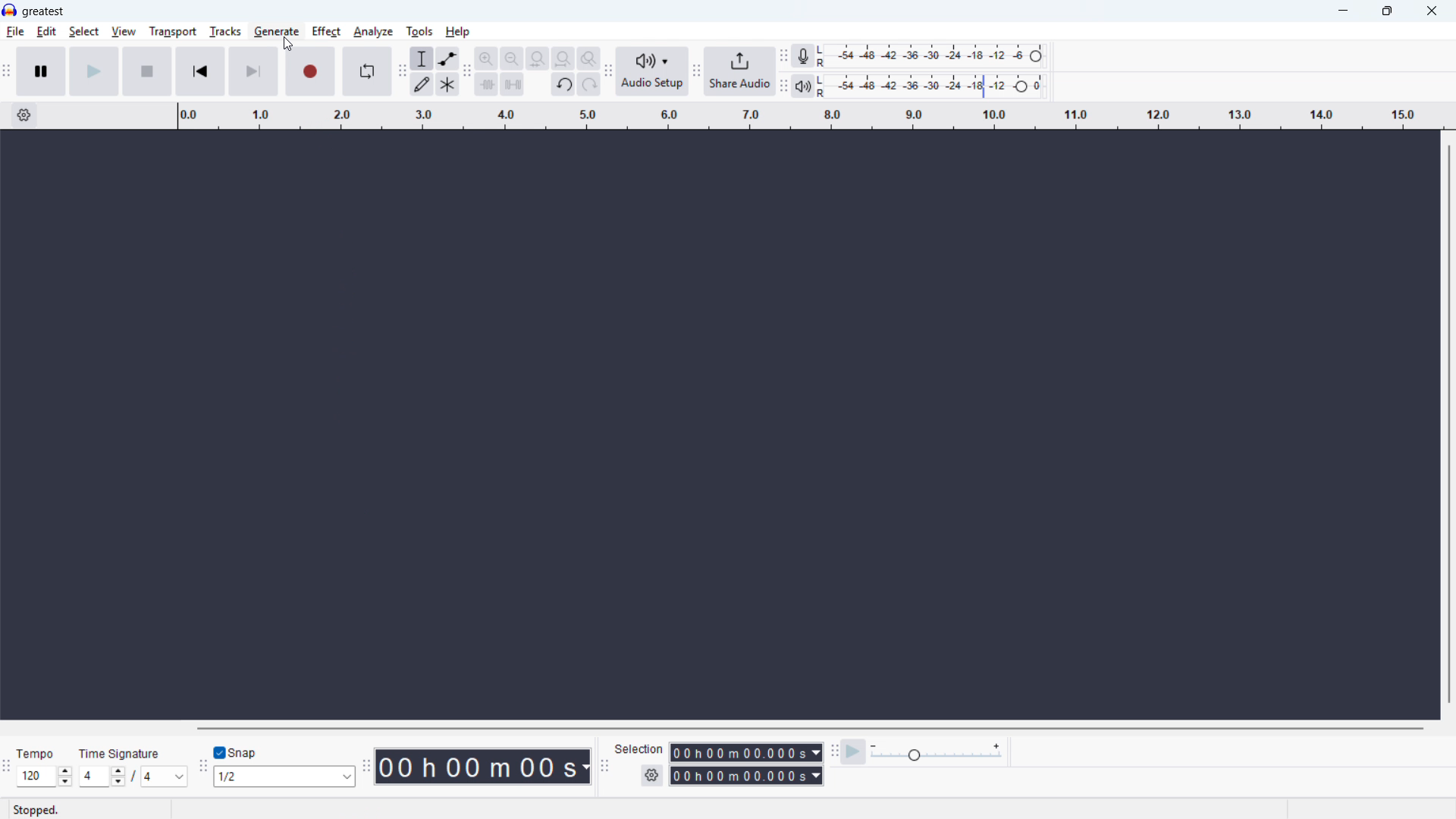  Describe the element at coordinates (41, 71) in the screenshot. I see `pause` at that location.